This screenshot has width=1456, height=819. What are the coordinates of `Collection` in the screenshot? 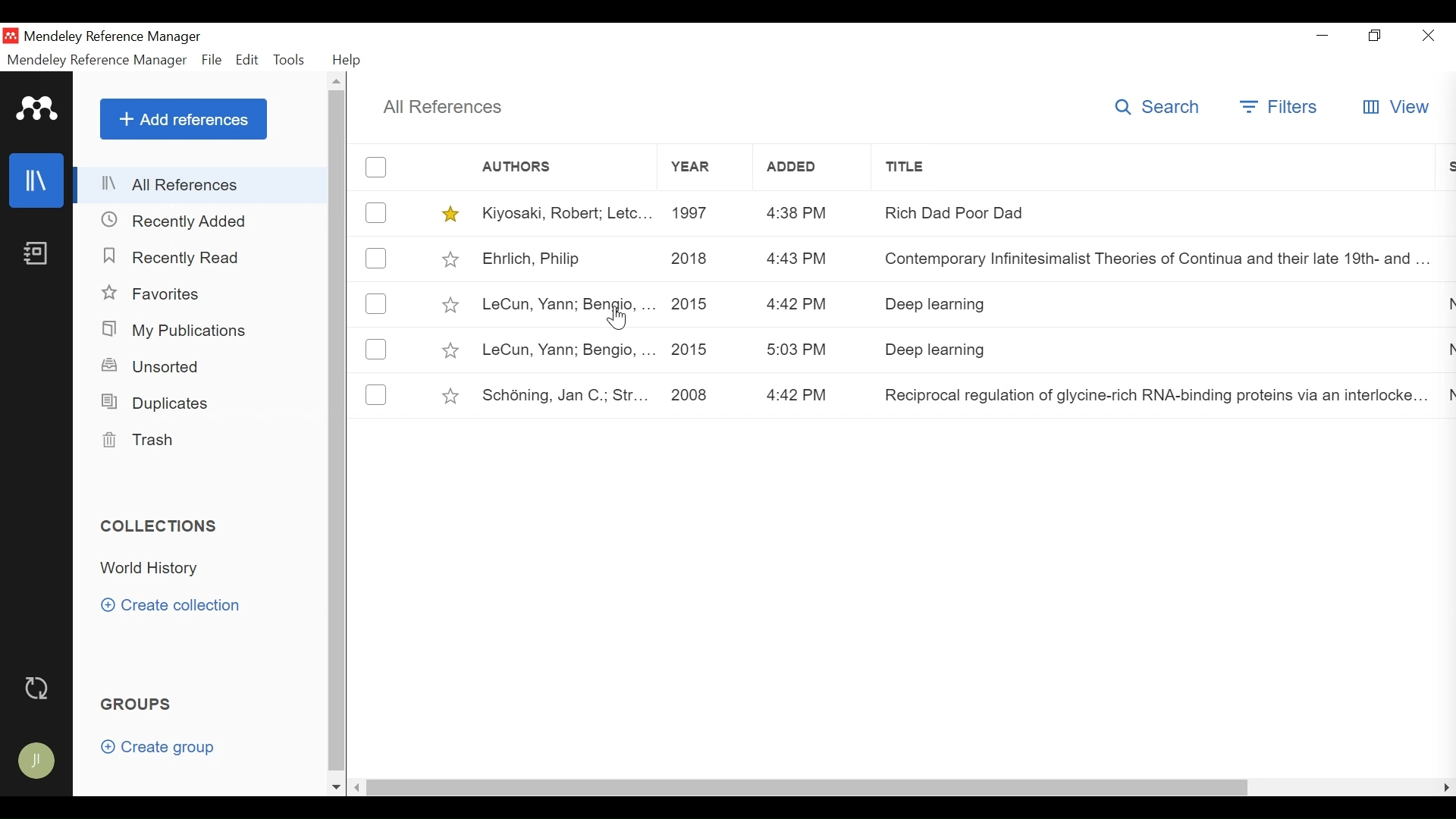 It's located at (154, 569).